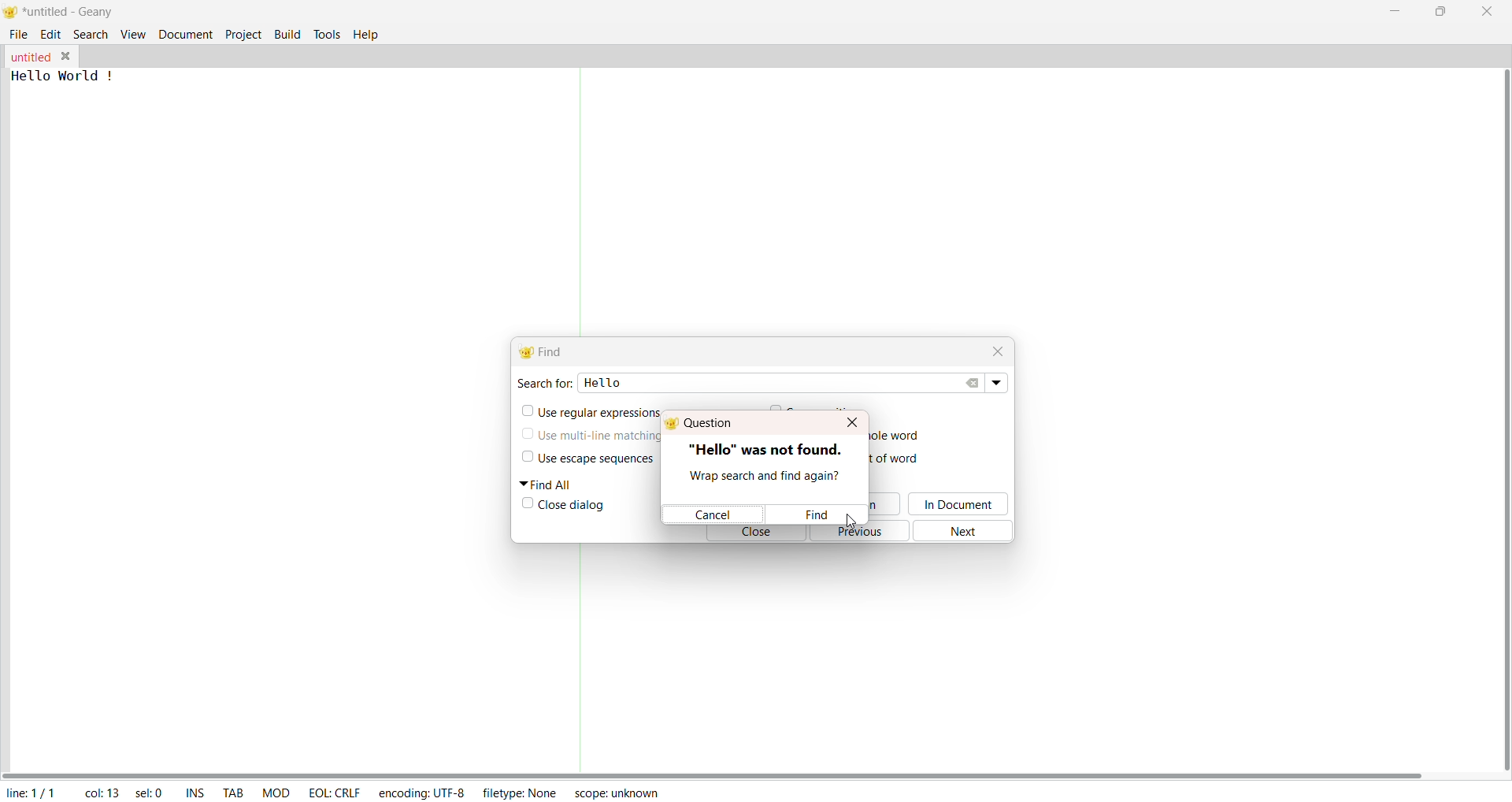 The height and width of the screenshot is (802, 1512). What do you see at coordinates (598, 410) in the screenshot?
I see `use regular expressions` at bounding box center [598, 410].